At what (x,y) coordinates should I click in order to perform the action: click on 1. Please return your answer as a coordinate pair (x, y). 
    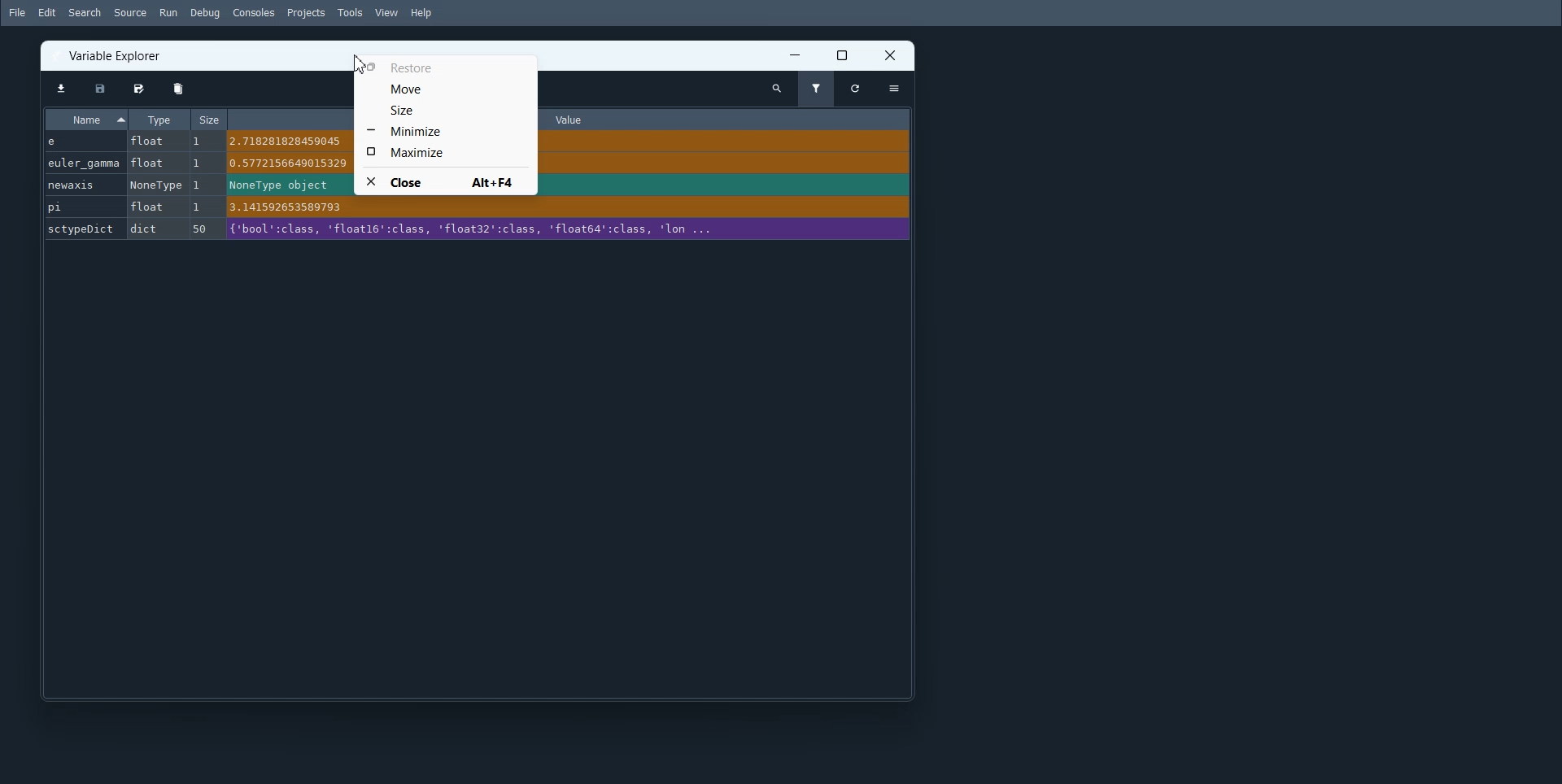
    Looking at the image, I should click on (198, 163).